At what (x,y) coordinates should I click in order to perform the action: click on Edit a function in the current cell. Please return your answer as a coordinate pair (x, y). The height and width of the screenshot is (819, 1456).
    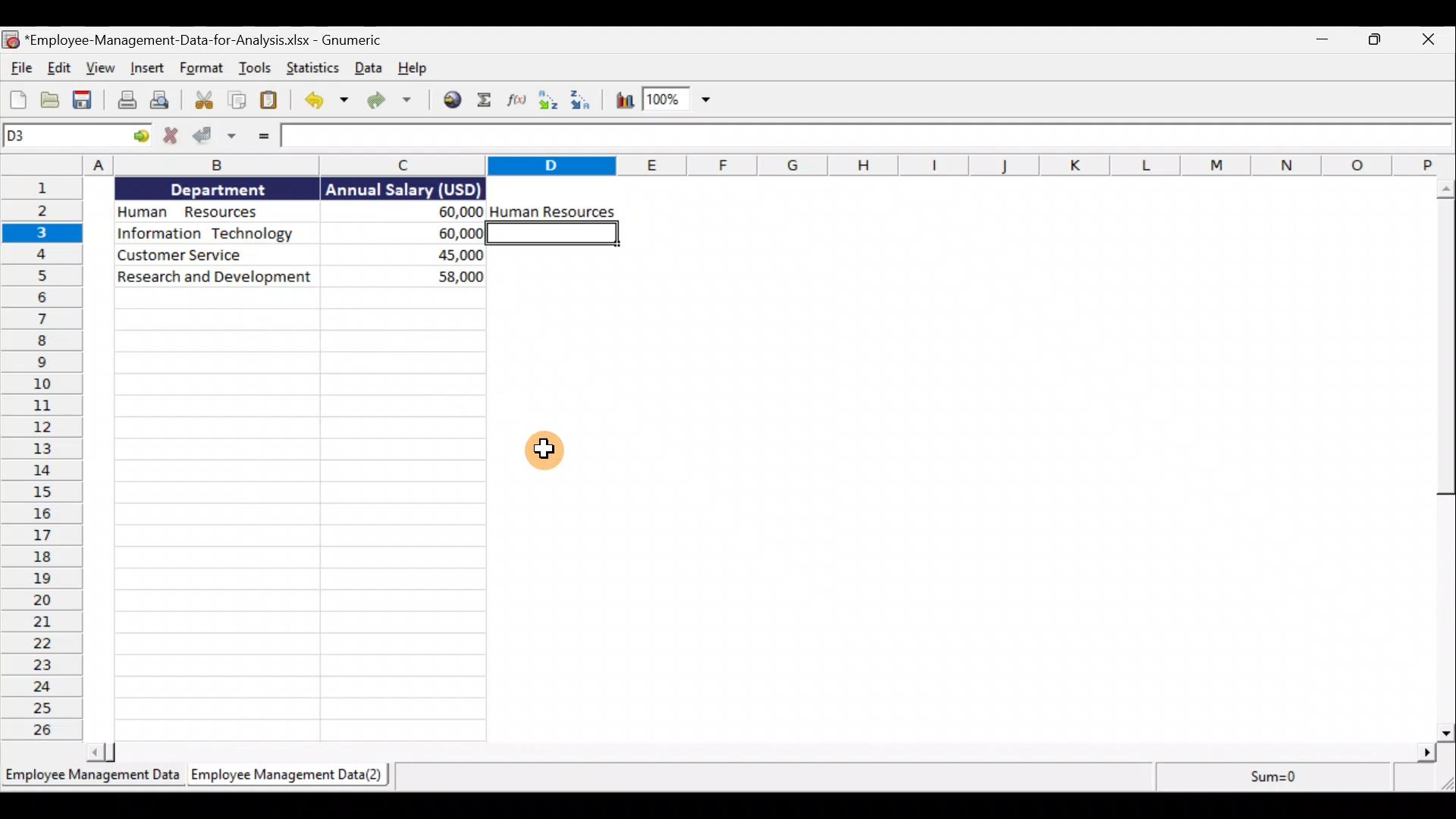
    Looking at the image, I should click on (516, 102).